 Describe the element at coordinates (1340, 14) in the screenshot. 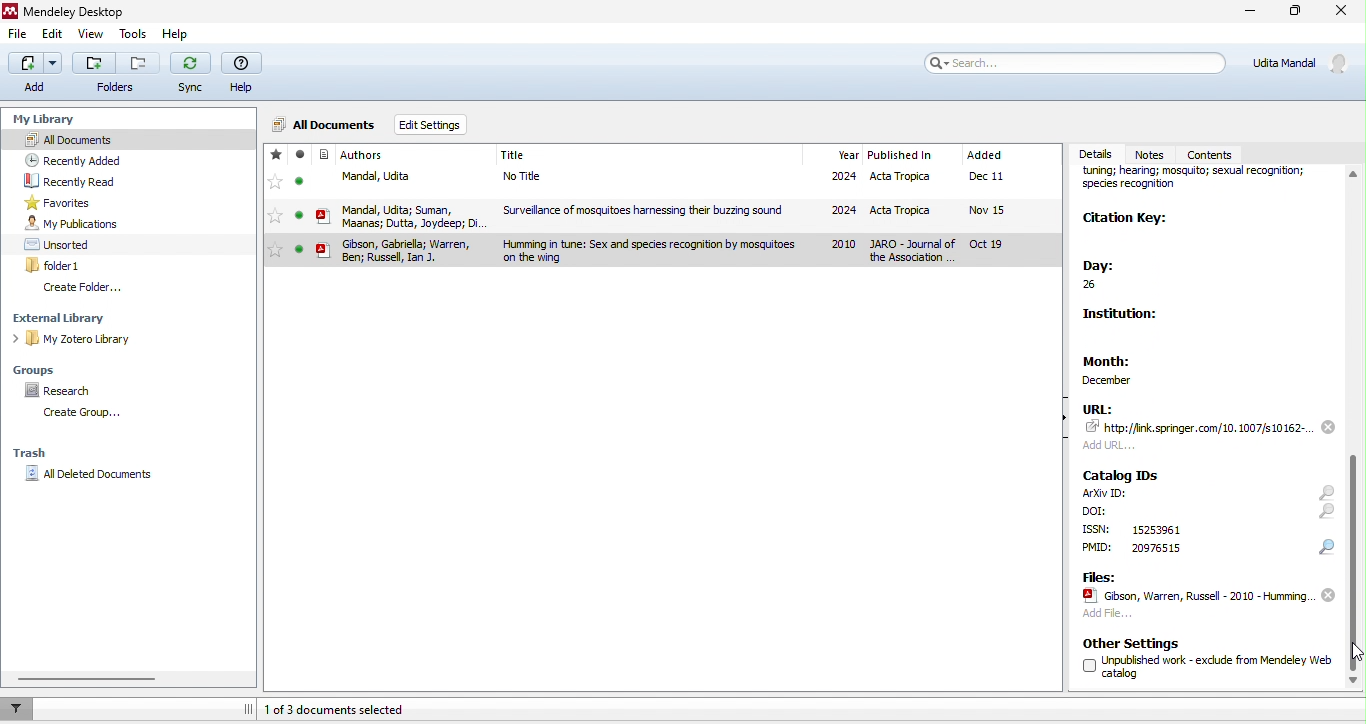

I see `close` at that location.